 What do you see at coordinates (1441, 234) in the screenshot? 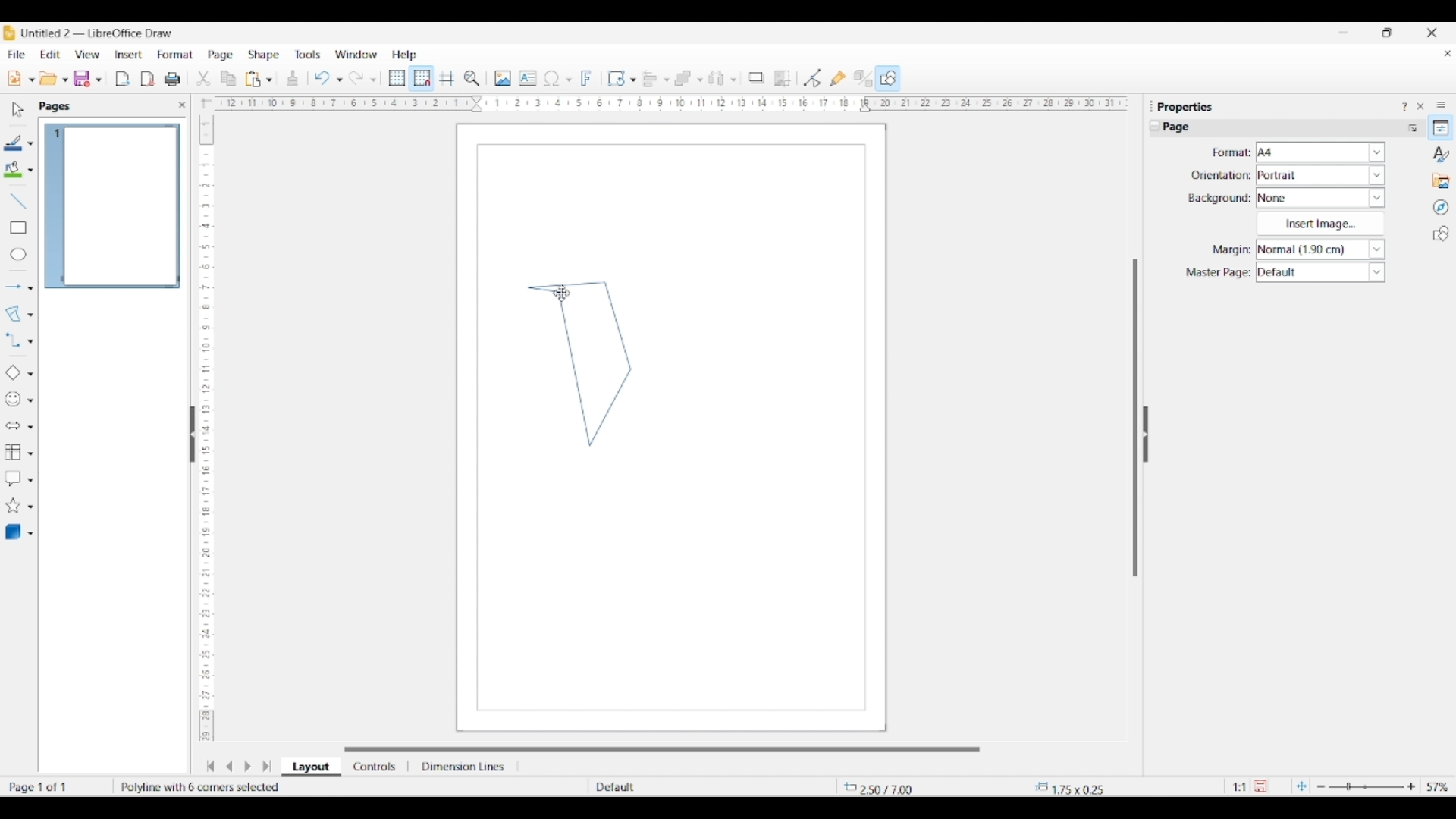
I see `Shapes` at bounding box center [1441, 234].